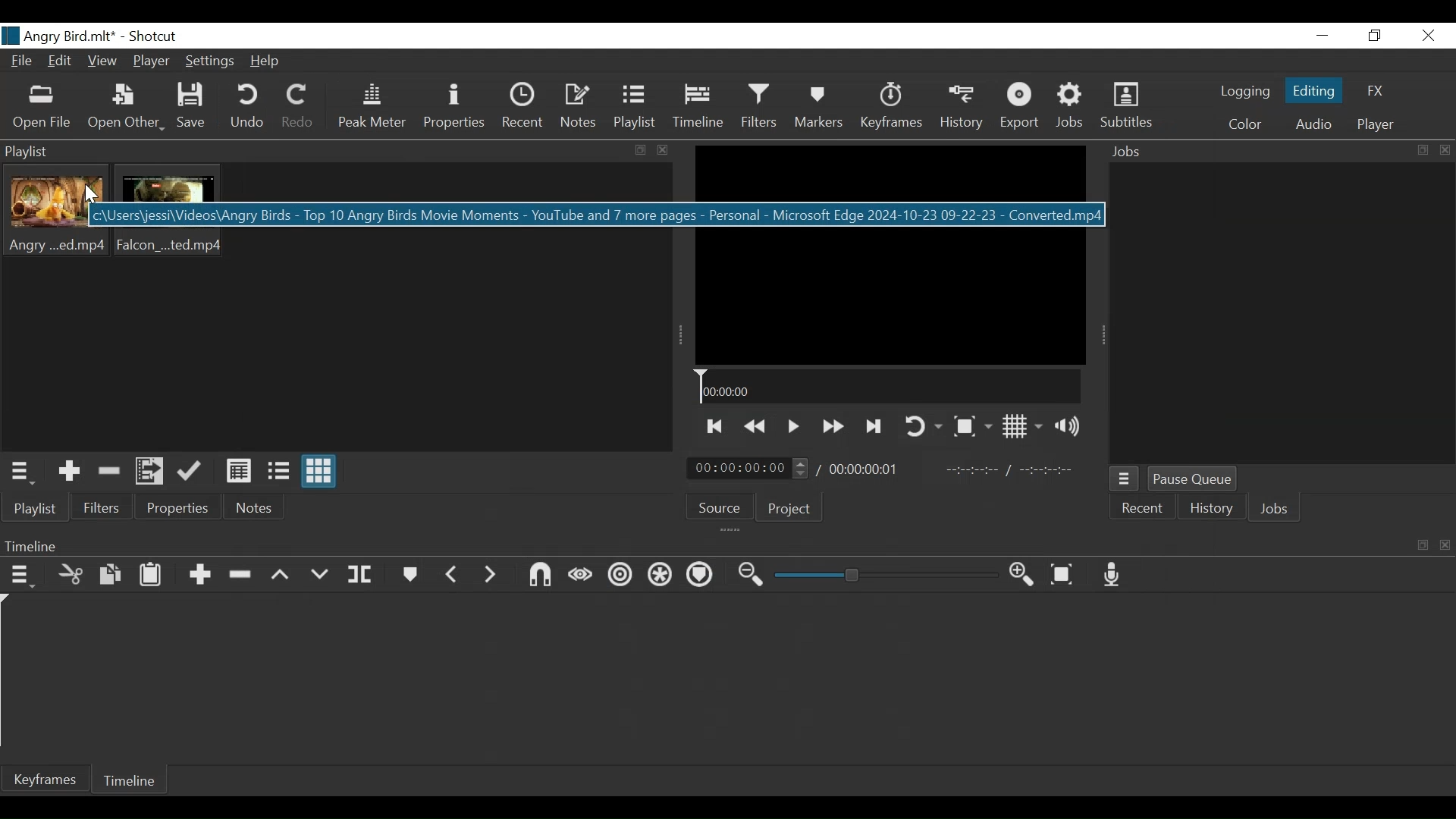 The image size is (1456, 819). I want to click on View as files, so click(279, 472).